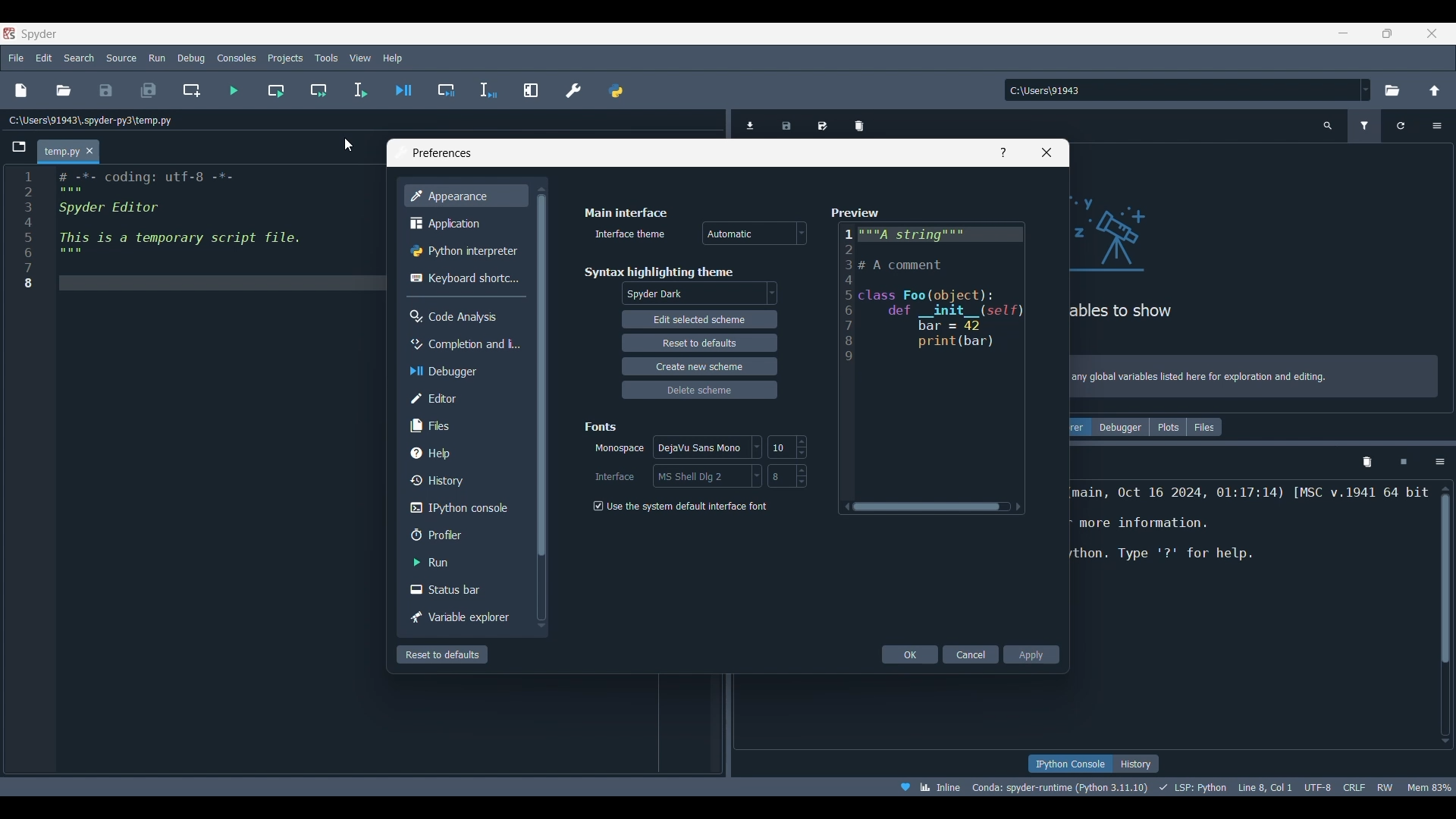  Describe the element at coordinates (971, 654) in the screenshot. I see `Cancel` at that location.